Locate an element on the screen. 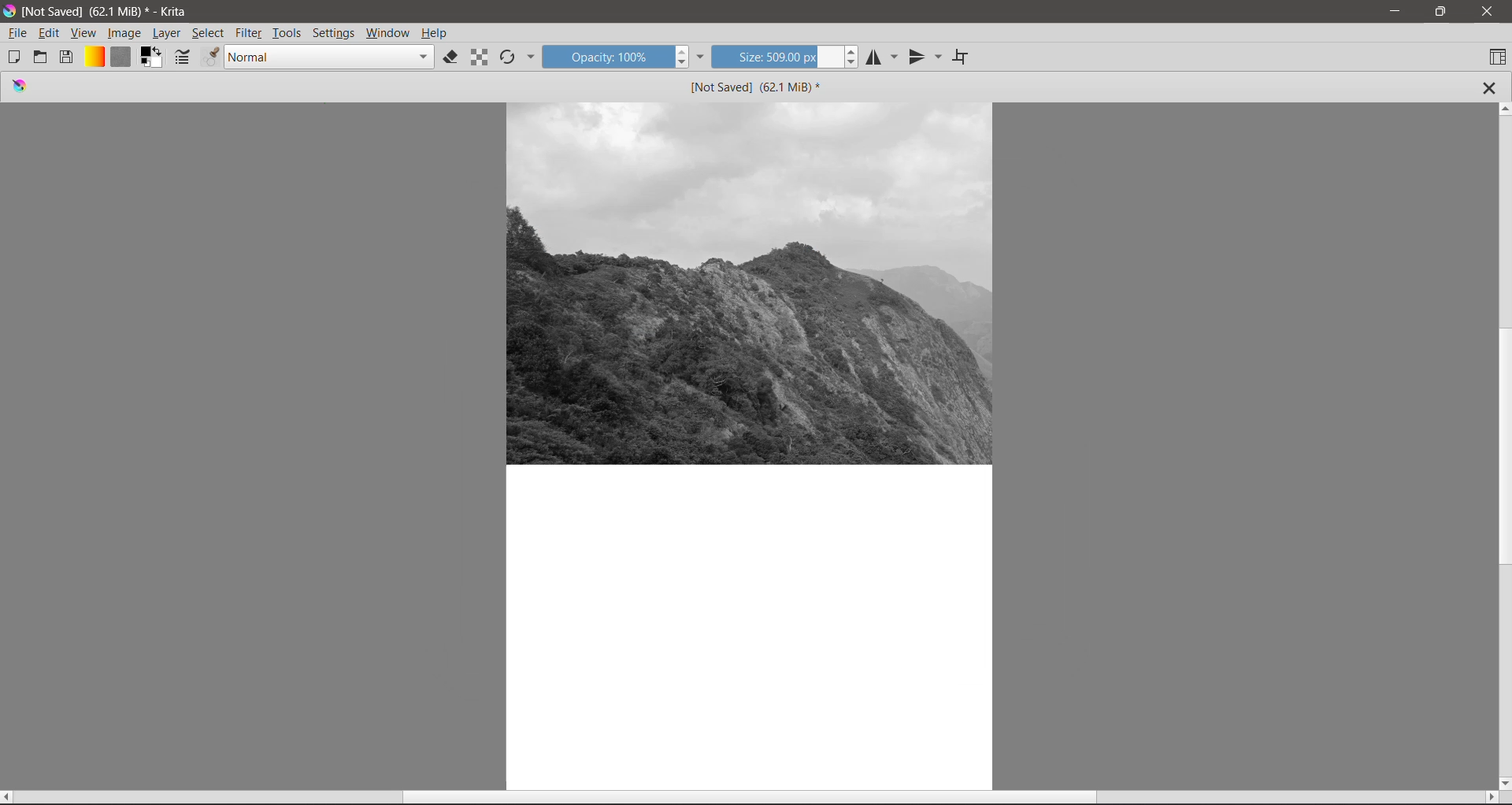 Image resolution: width=1512 pixels, height=805 pixels. Choose Workspace is located at coordinates (1495, 57).